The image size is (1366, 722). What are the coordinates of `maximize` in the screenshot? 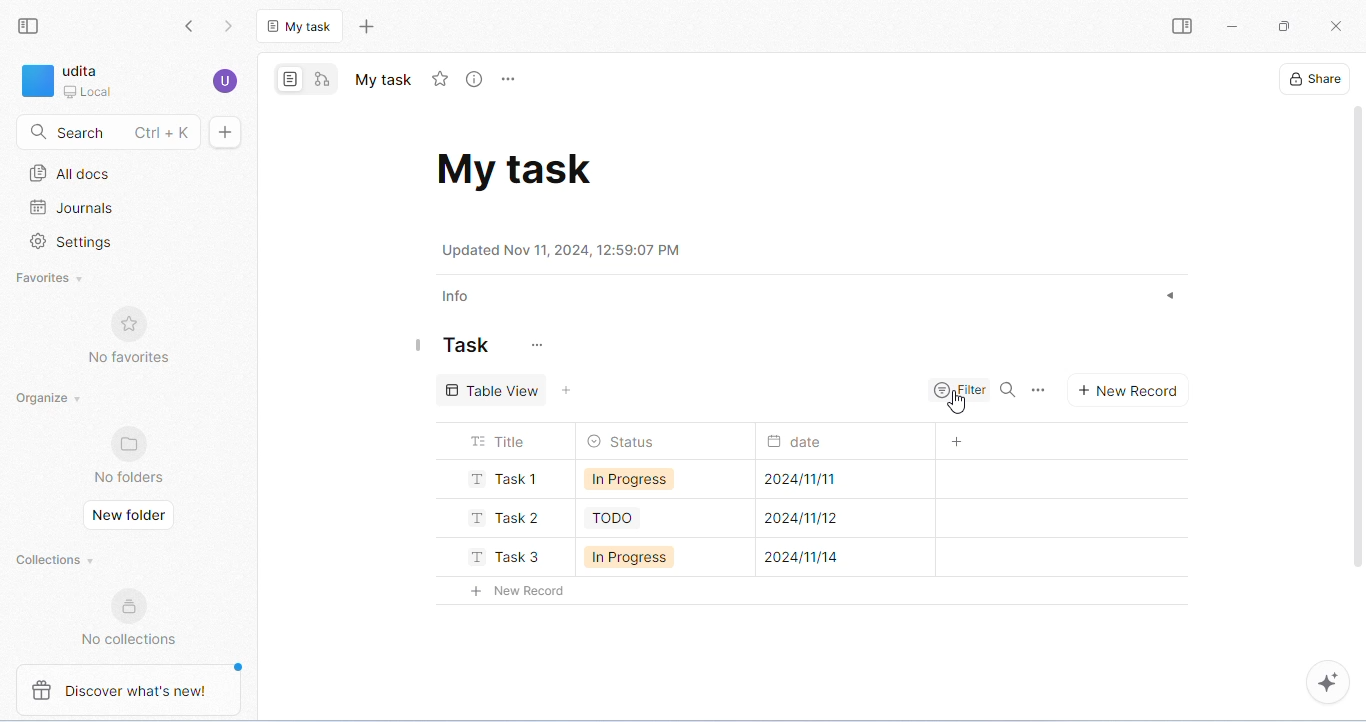 It's located at (1282, 26).